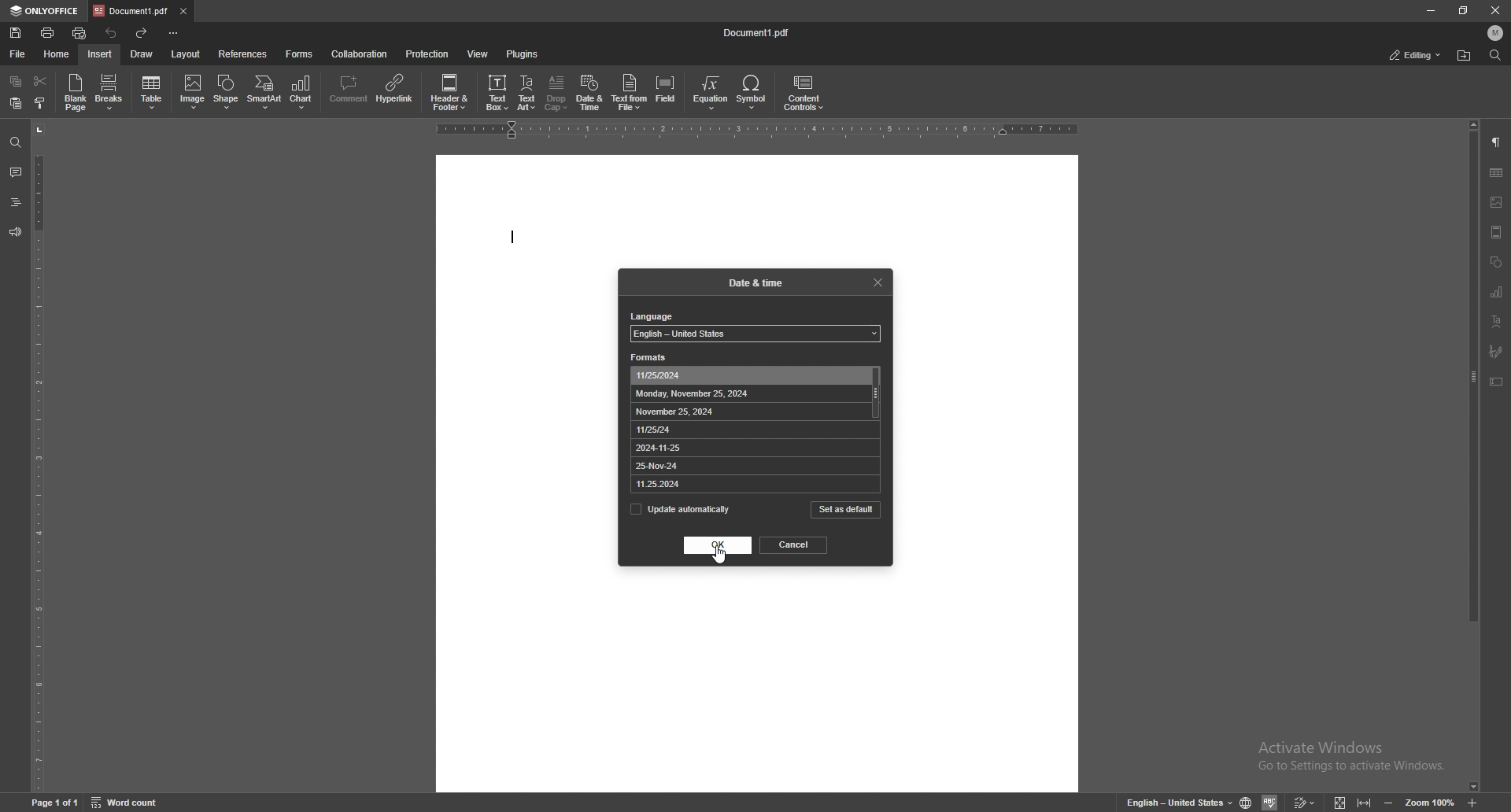 Image resolution: width=1511 pixels, height=812 pixels. Describe the element at coordinates (795, 545) in the screenshot. I see `cancel` at that location.